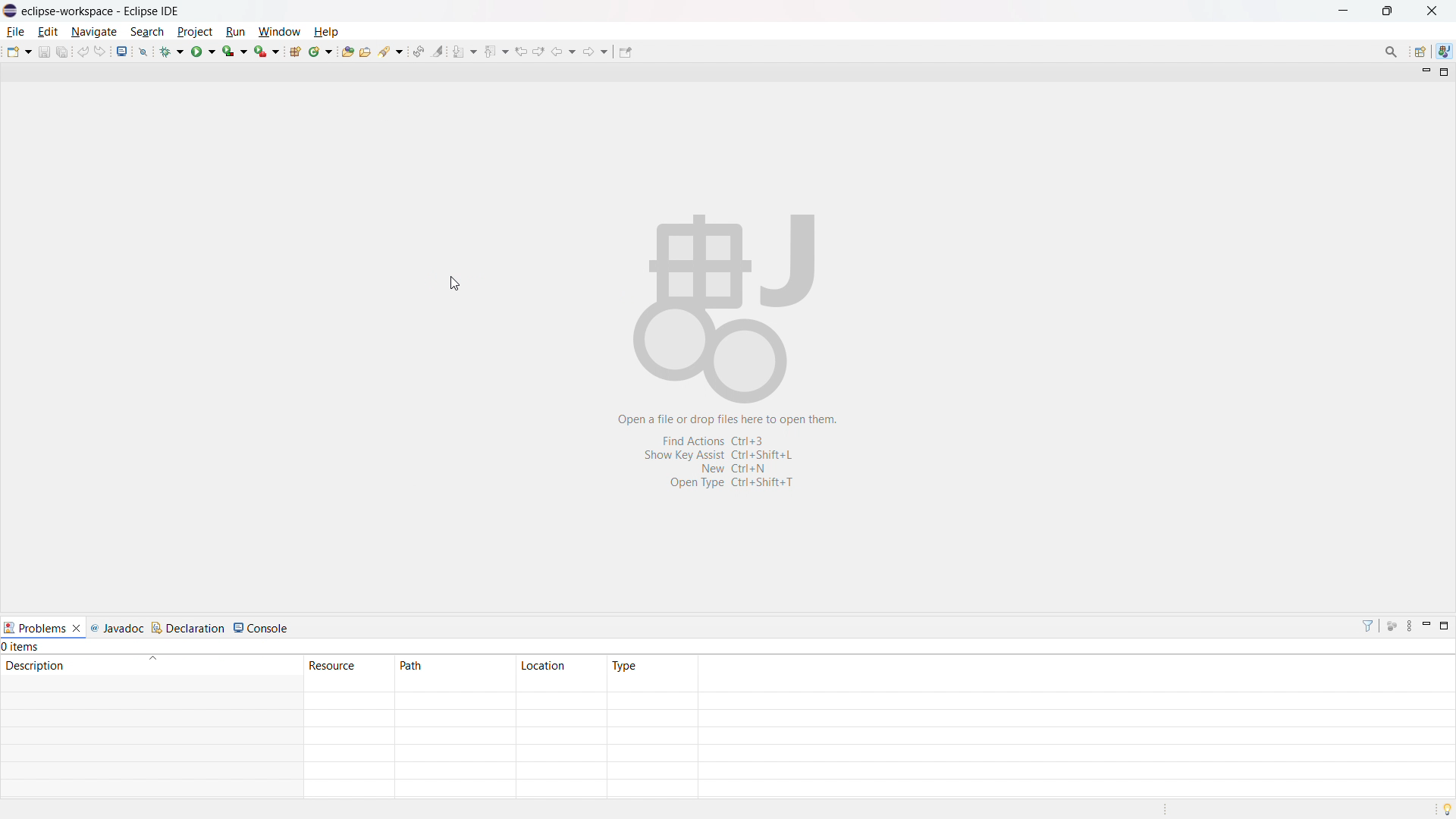 The width and height of the screenshot is (1456, 819). What do you see at coordinates (95, 32) in the screenshot?
I see `navigate` at bounding box center [95, 32].